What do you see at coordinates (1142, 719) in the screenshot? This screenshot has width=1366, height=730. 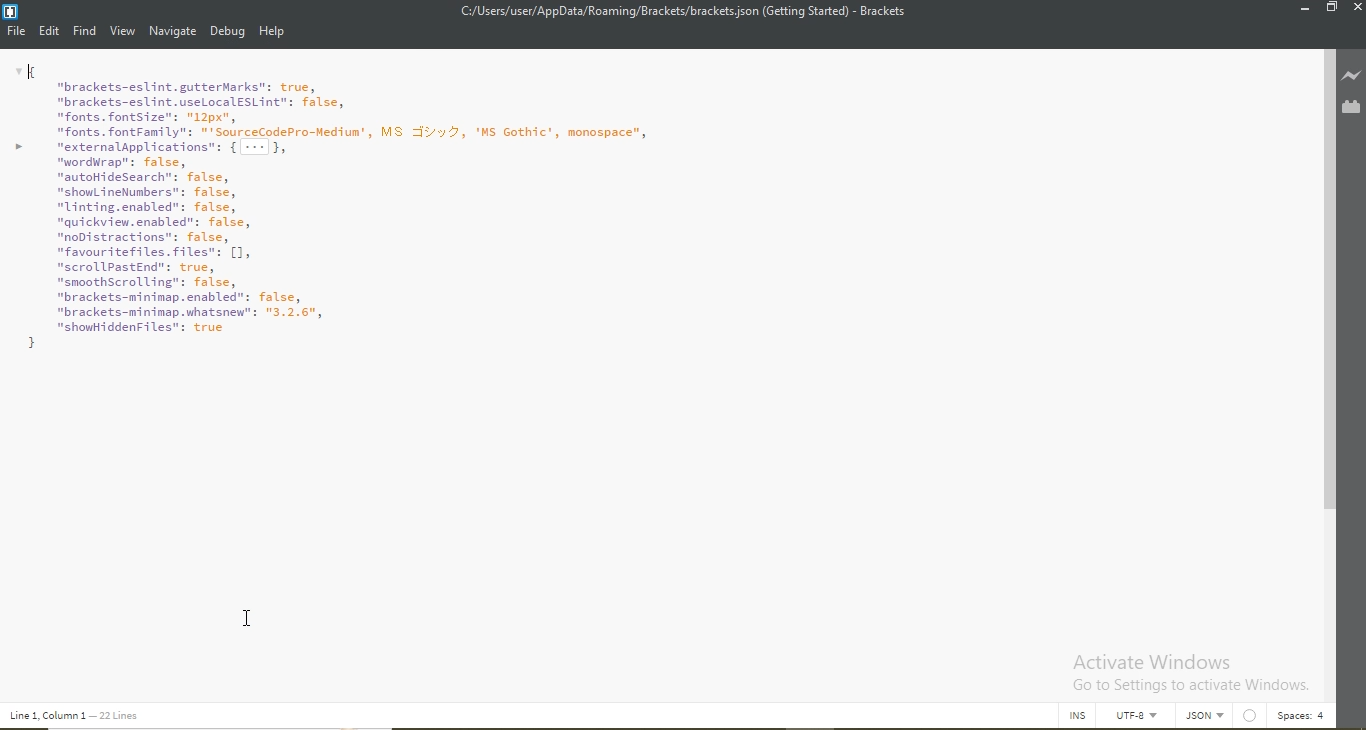 I see ` UTF-8` at bounding box center [1142, 719].